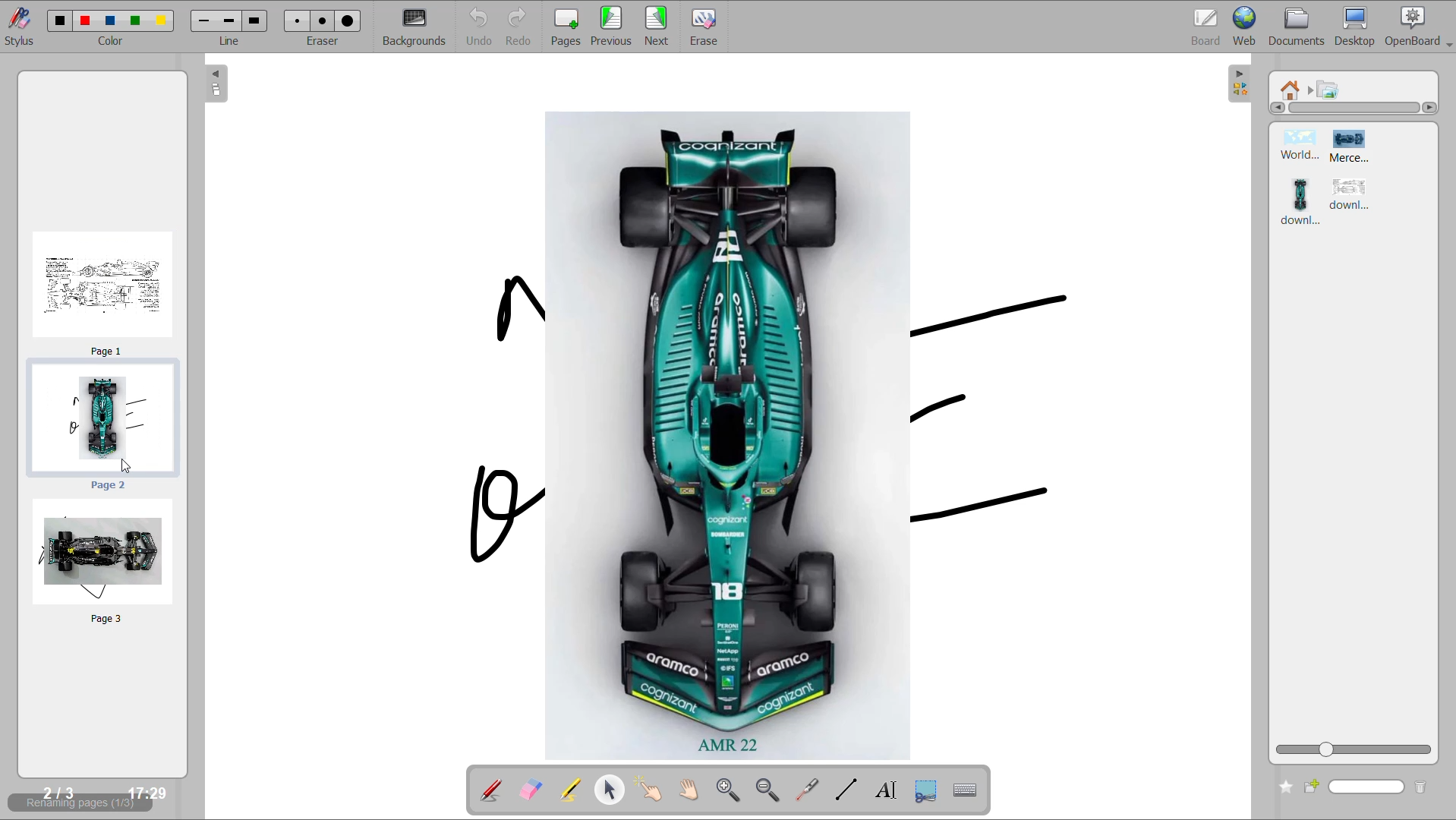 This screenshot has height=820, width=1456. Describe the element at coordinates (1294, 90) in the screenshot. I see `root` at that location.